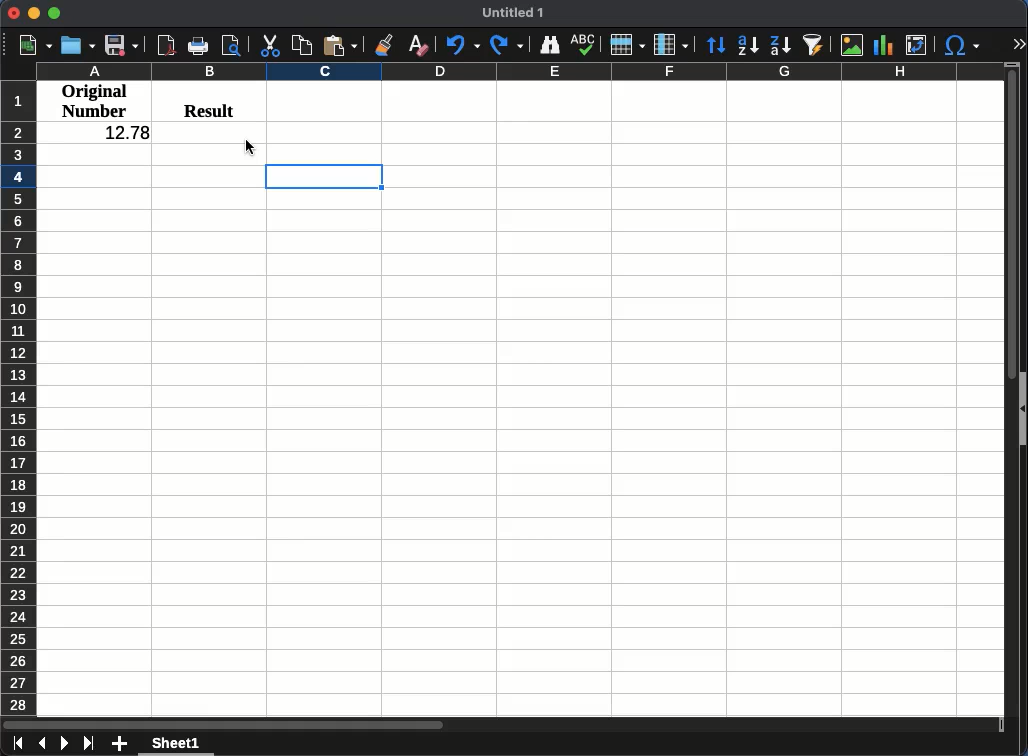  Describe the element at coordinates (43, 743) in the screenshot. I see `previous sheet` at that location.